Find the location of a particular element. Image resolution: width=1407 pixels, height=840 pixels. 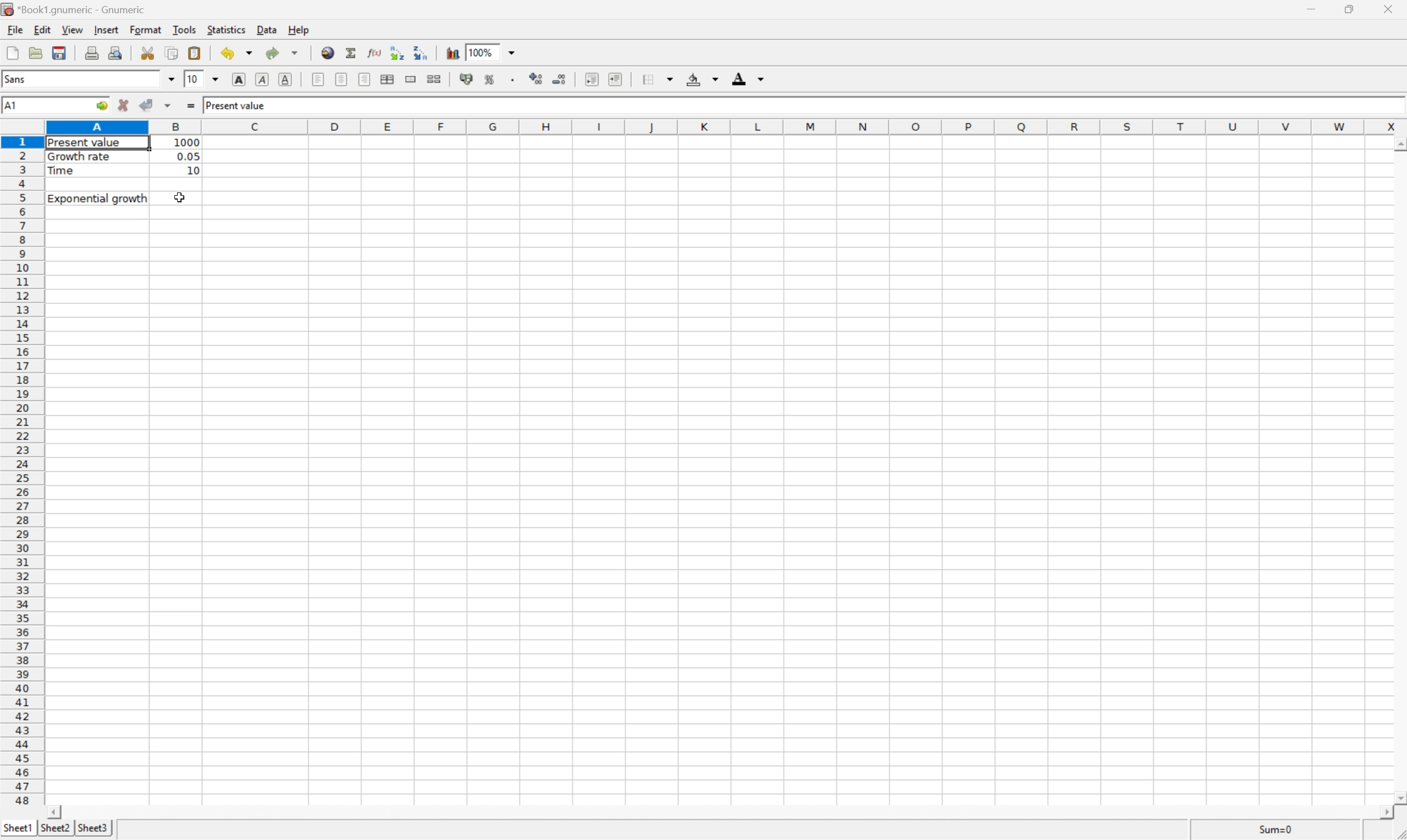

Split merged ranges of cells is located at coordinates (434, 78).